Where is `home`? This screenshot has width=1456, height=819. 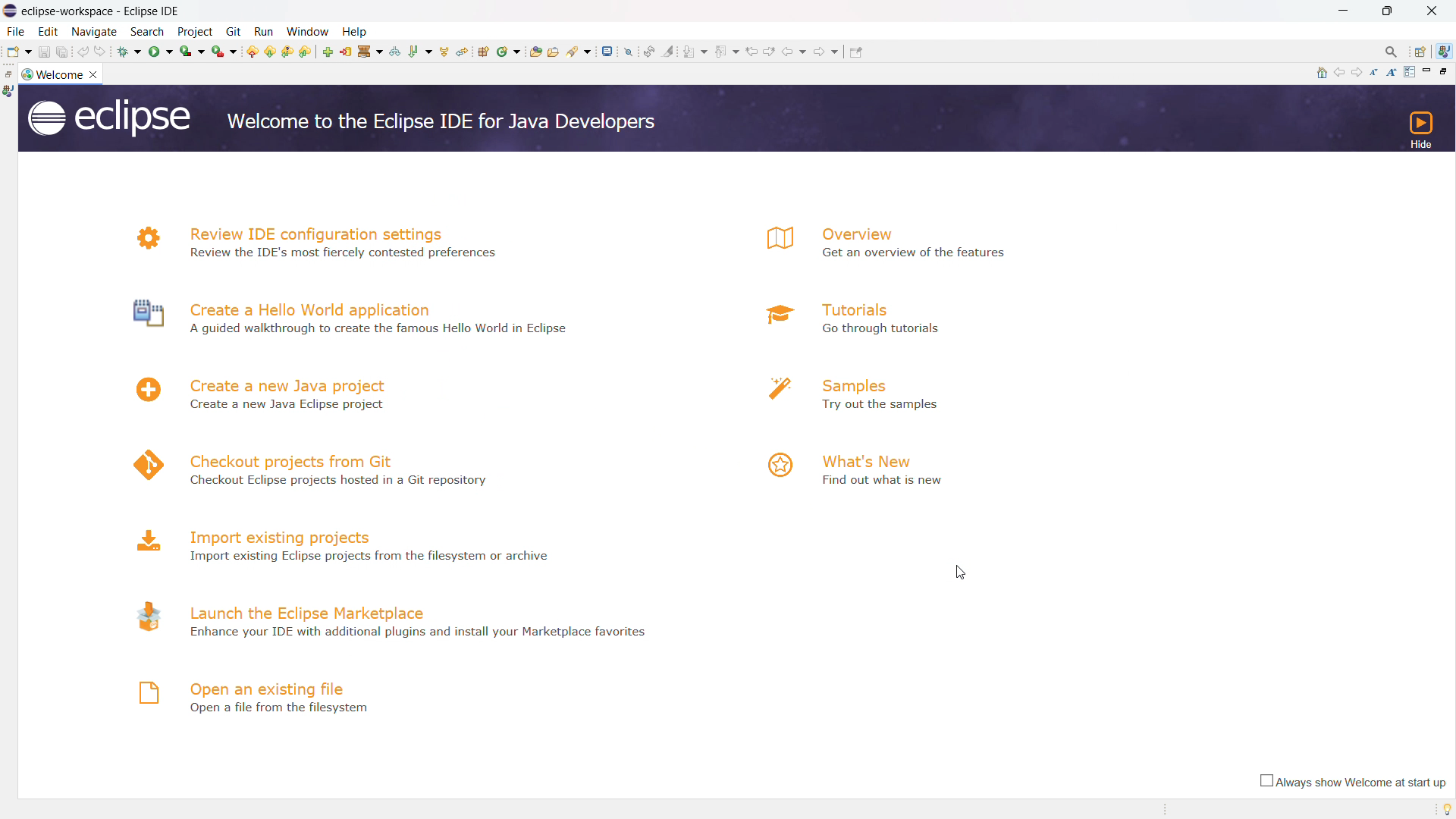
home is located at coordinates (1320, 73).